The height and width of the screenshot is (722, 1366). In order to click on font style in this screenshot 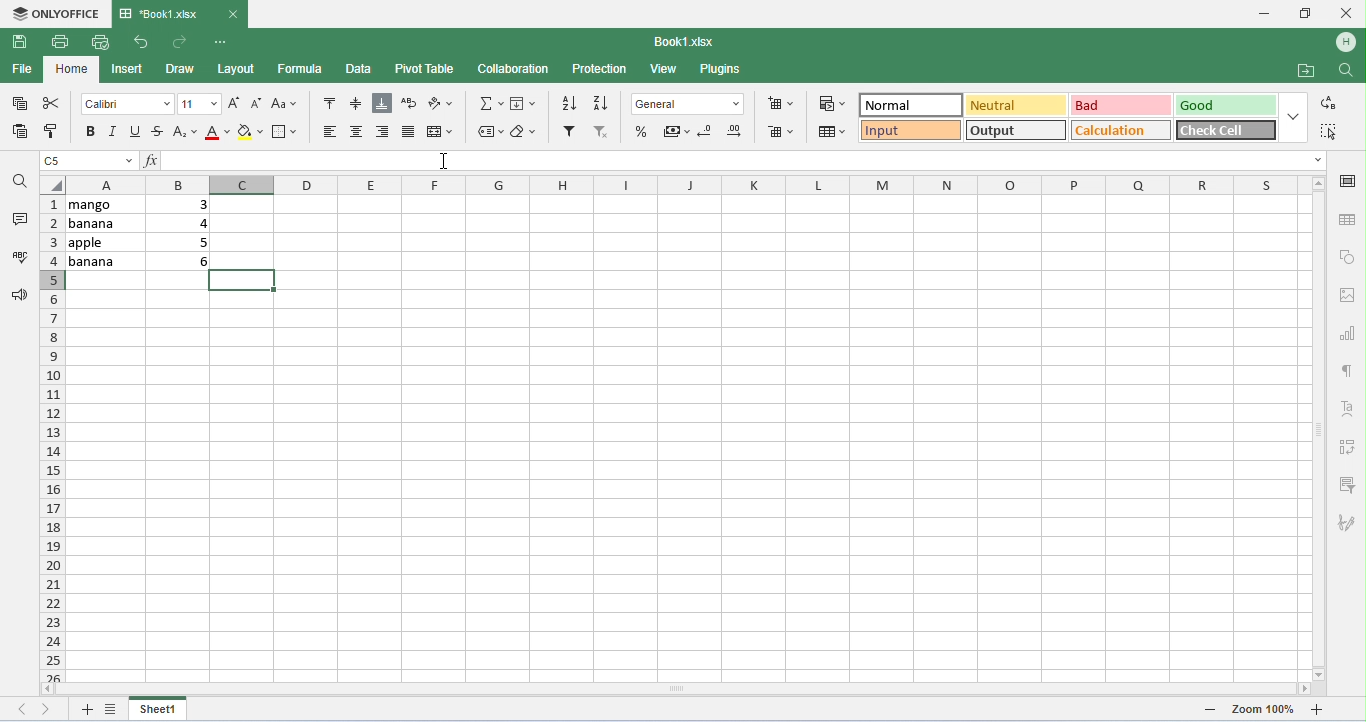, I will do `click(128, 105)`.